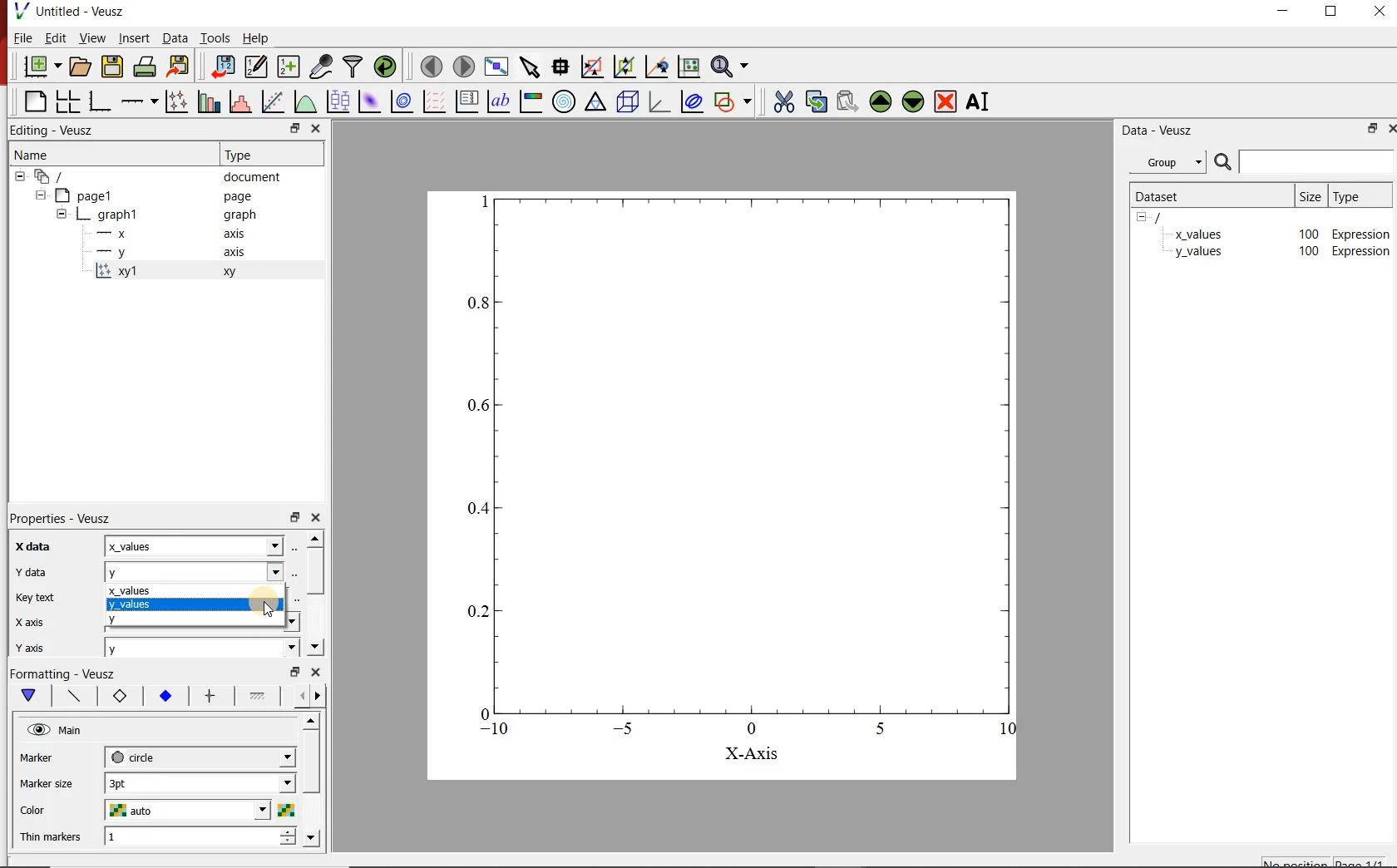 The image size is (1397, 868). I want to click on Marker, so click(37, 757).